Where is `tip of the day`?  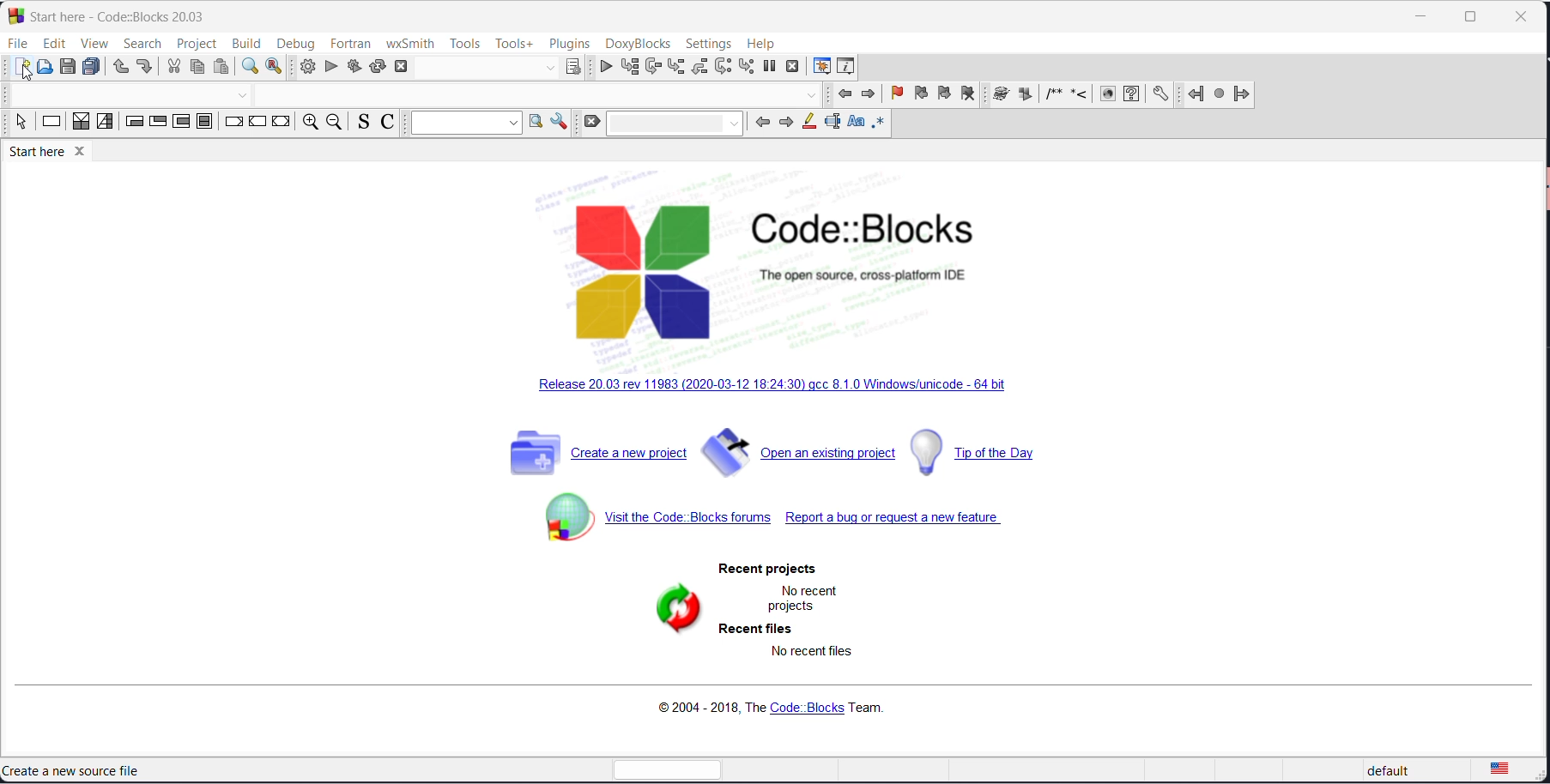 tip of the day is located at coordinates (997, 451).